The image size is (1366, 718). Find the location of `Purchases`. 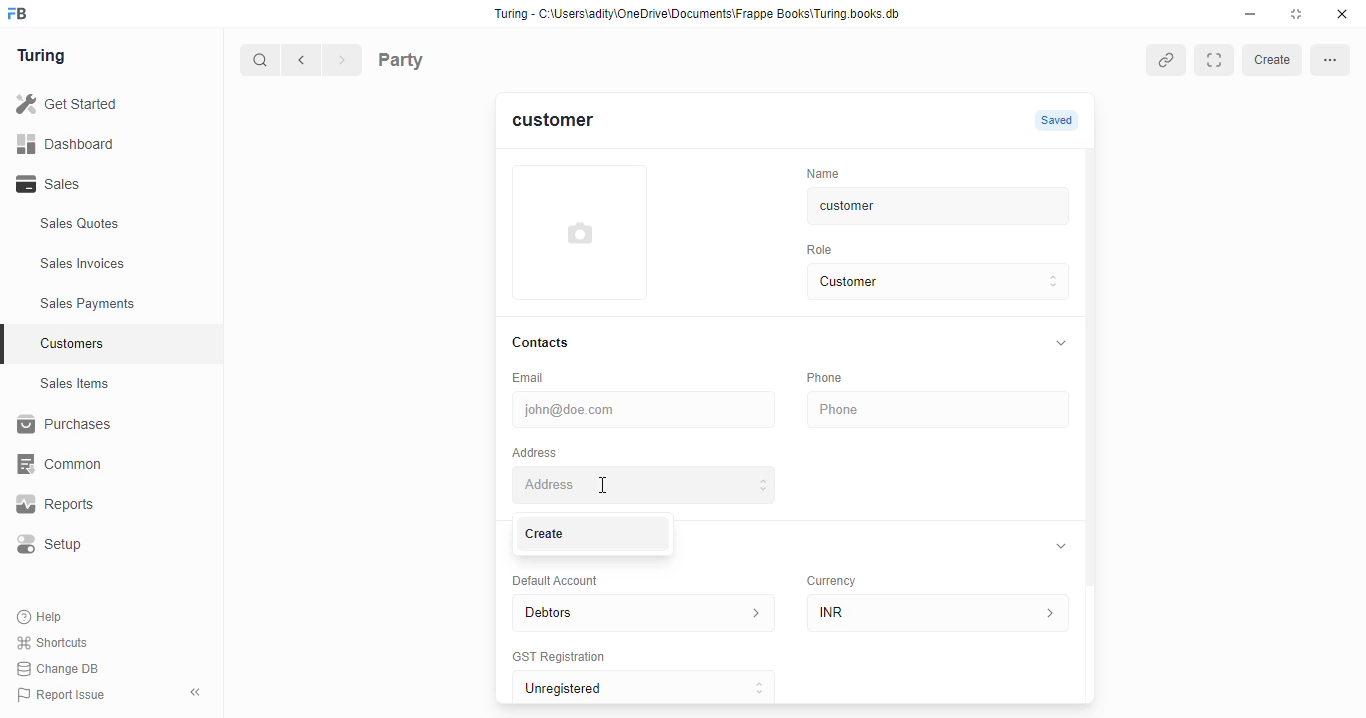

Purchases is located at coordinates (100, 427).